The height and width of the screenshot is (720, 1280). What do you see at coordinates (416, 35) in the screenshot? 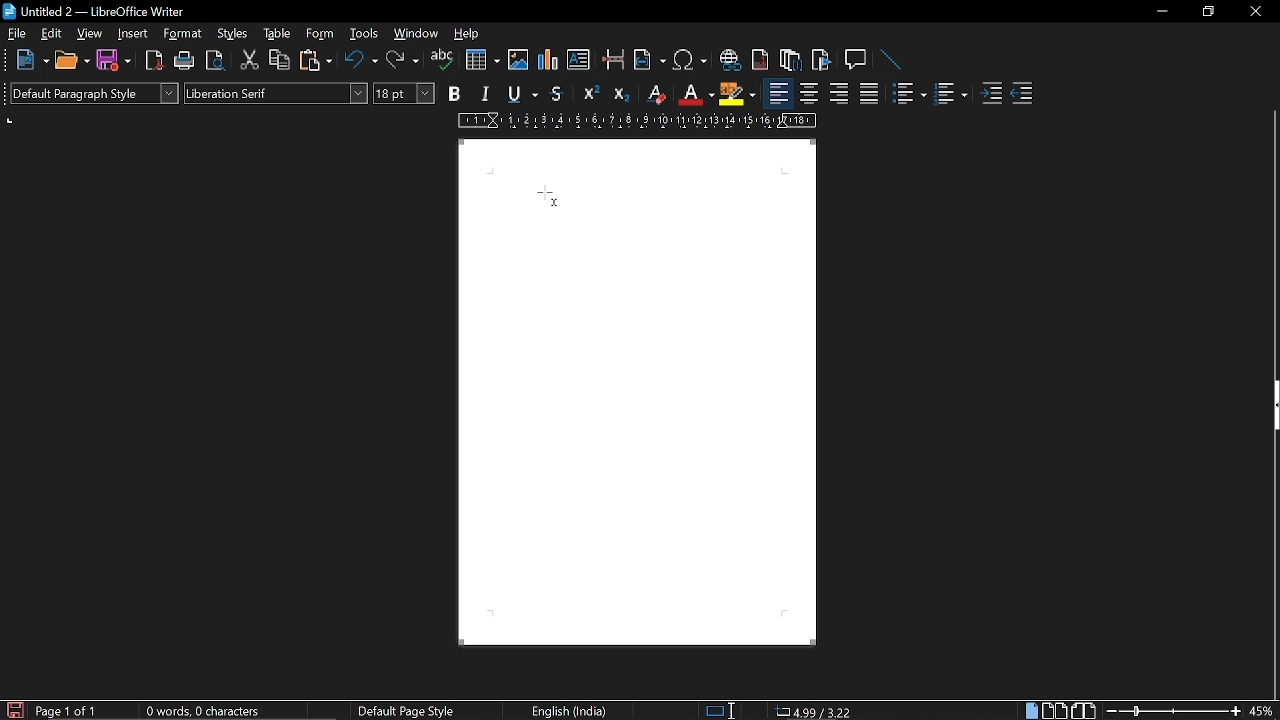
I see `windows` at bounding box center [416, 35].